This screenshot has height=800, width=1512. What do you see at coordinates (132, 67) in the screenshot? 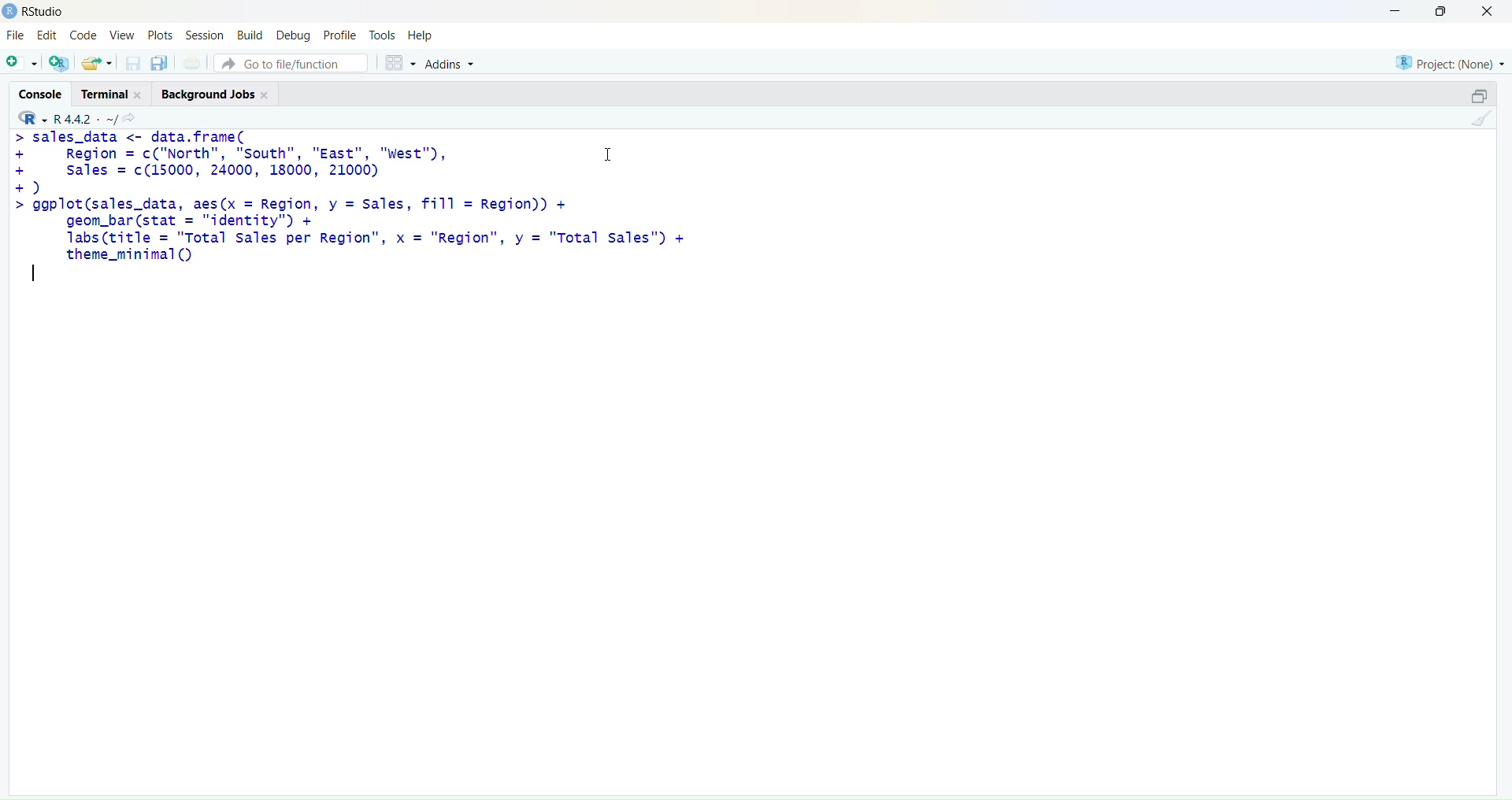
I see `save` at bounding box center [132, 67].